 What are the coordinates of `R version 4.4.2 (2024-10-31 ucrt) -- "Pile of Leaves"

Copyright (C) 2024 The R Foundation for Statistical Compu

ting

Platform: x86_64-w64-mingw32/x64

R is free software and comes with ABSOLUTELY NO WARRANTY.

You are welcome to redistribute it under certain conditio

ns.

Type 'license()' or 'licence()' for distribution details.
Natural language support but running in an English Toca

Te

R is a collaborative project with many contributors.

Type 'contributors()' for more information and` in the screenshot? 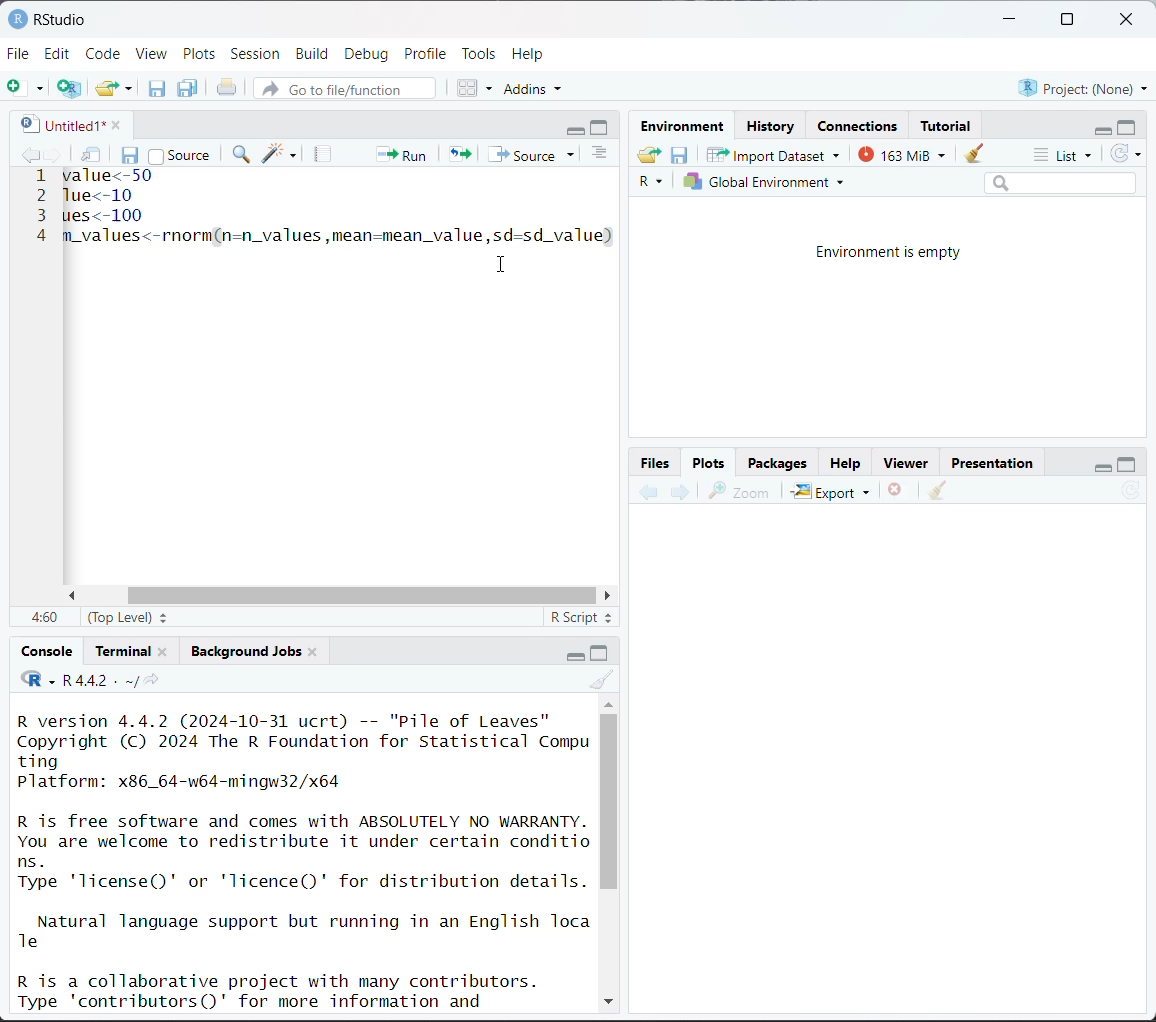 It's located at (305, 859).